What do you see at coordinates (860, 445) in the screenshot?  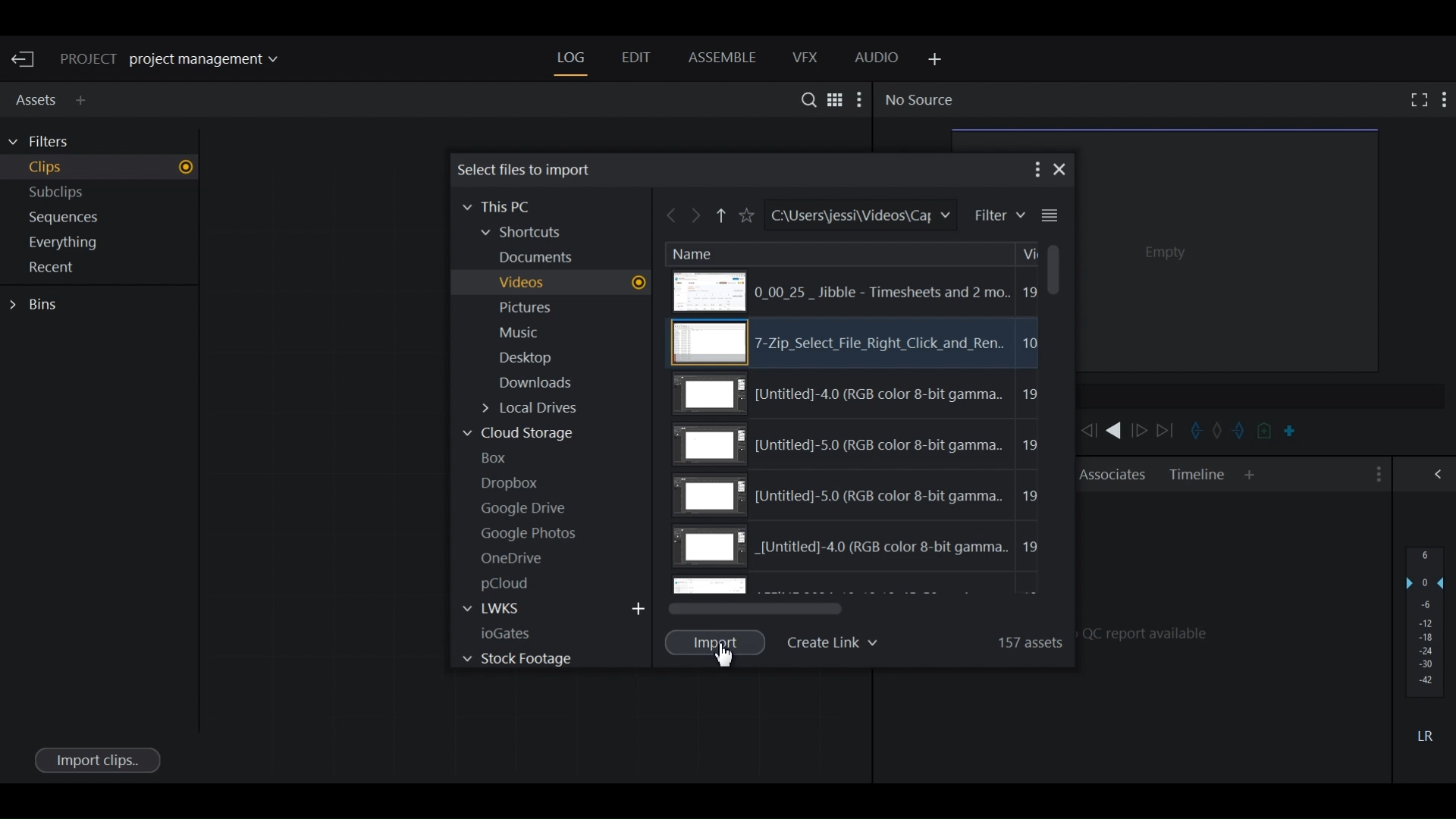 I see `RGB color` at bounding box center [860, 445].